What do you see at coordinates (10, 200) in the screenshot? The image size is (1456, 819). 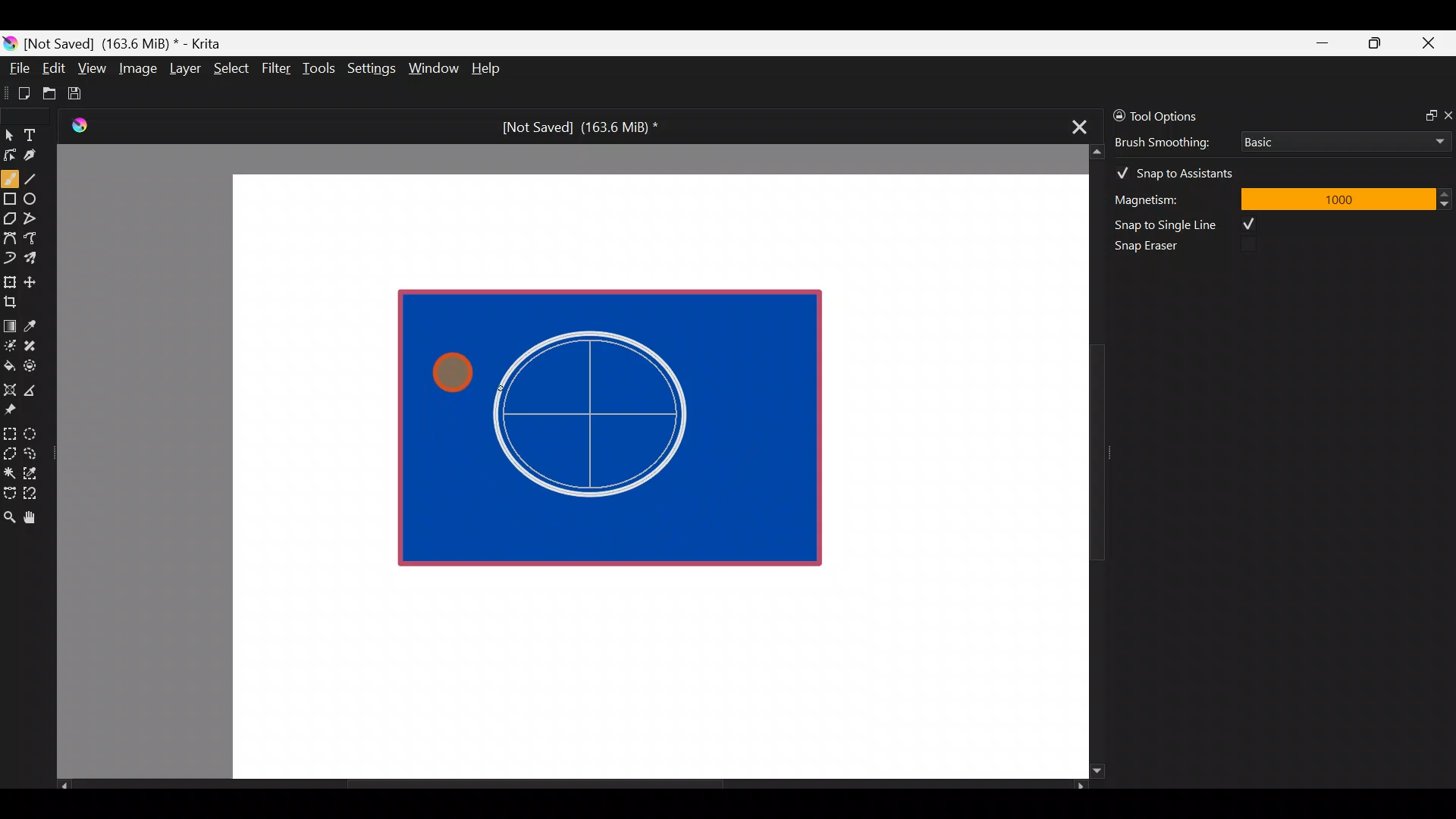 I see `Rectangle tool` at bounding box center [10, 200].